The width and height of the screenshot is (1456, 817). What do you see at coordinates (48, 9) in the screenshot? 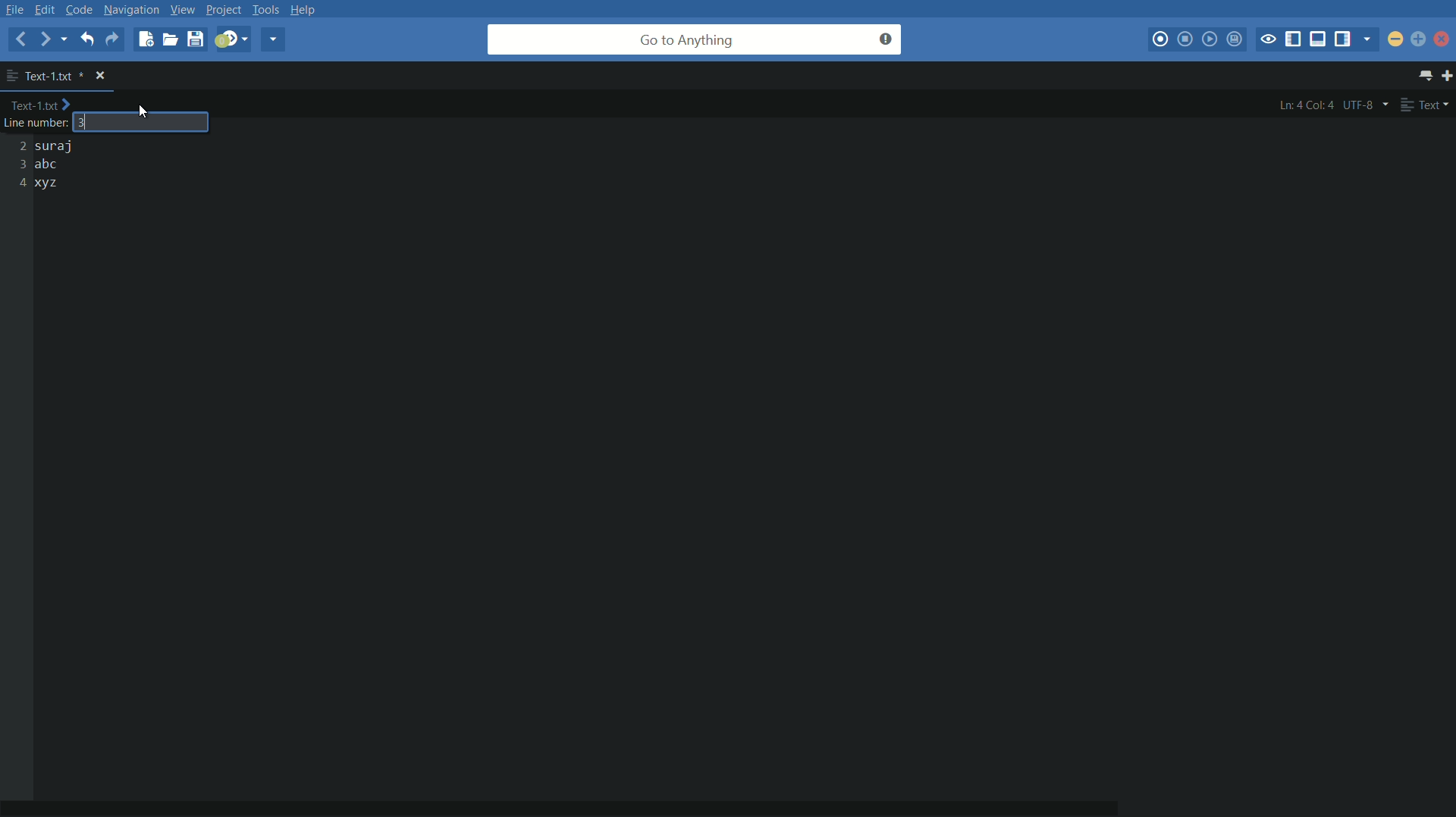
I see `edit ` at bounding box center [48, 9].